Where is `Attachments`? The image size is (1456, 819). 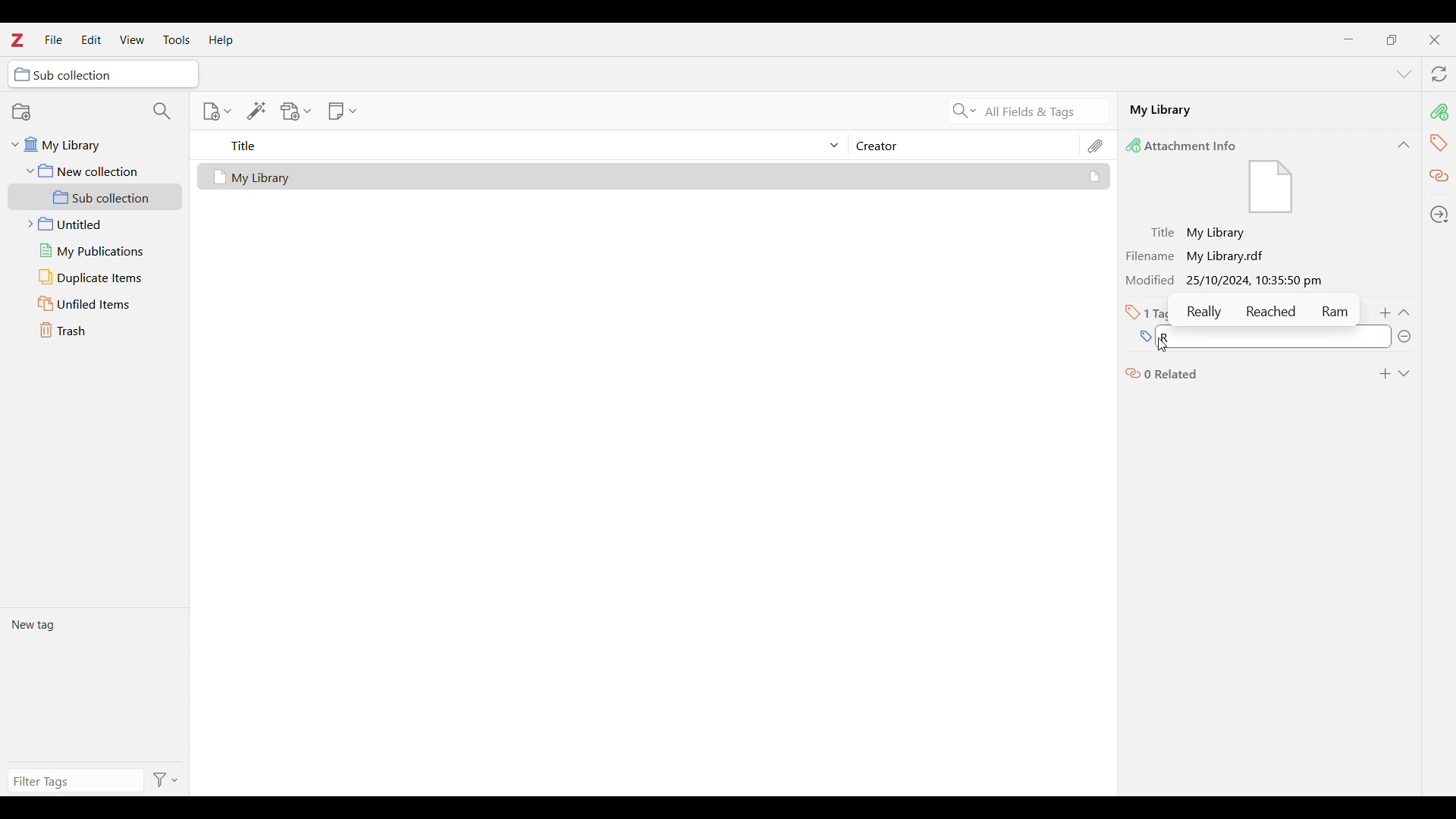 Attachments is located at coordinates (1097, 146).